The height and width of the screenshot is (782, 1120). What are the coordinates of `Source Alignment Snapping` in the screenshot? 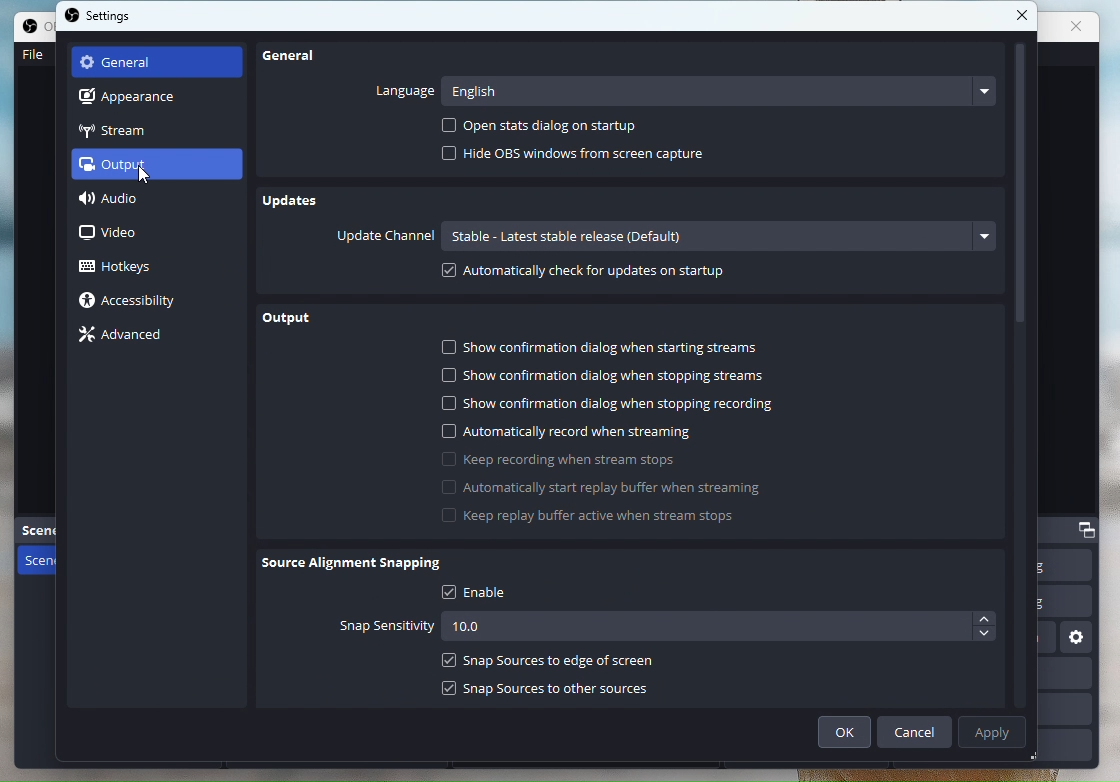 It's located at (353, 564).